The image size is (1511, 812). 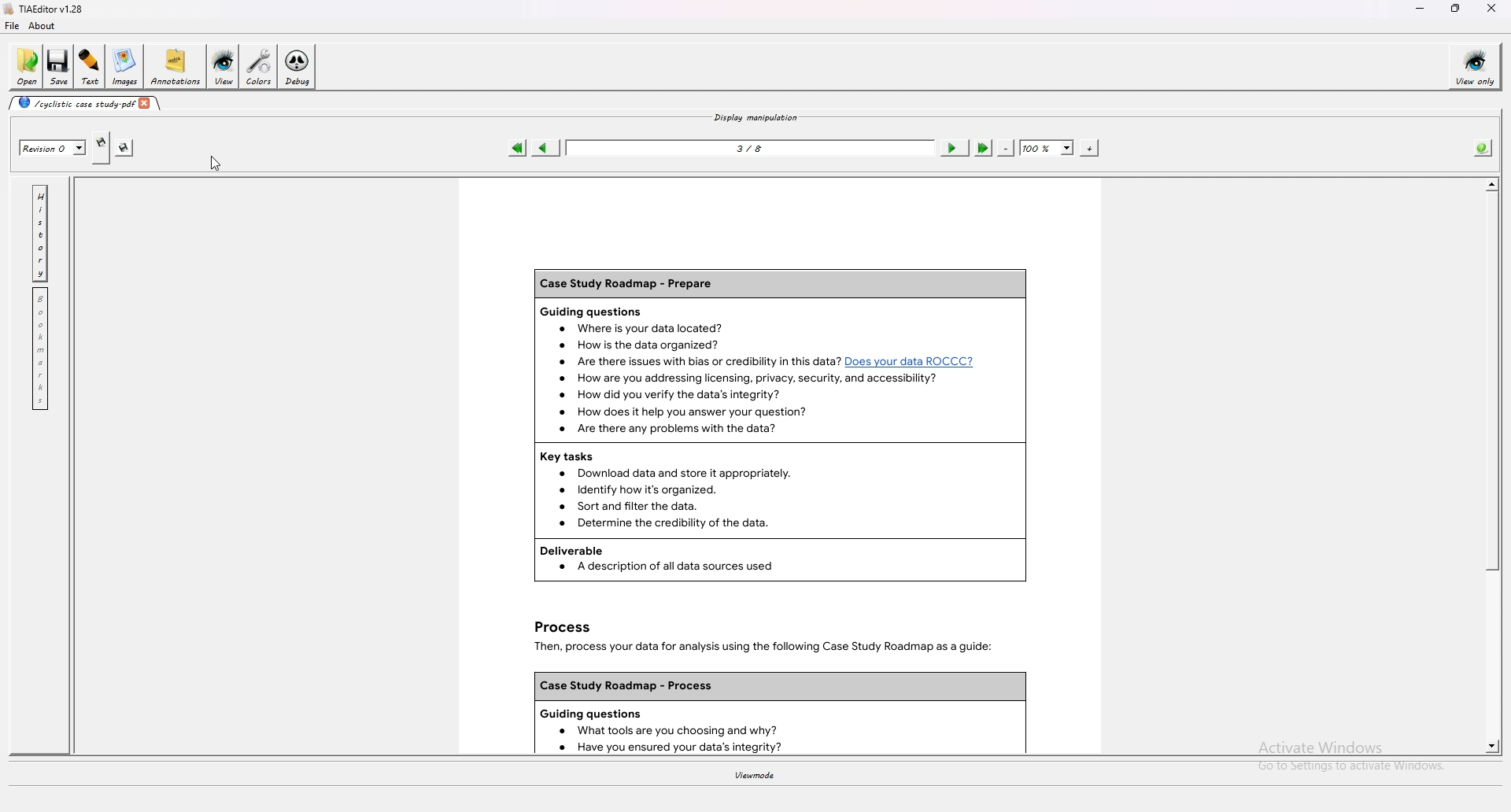 I want to click on Where is your data located?, so click(x=652, y=328).